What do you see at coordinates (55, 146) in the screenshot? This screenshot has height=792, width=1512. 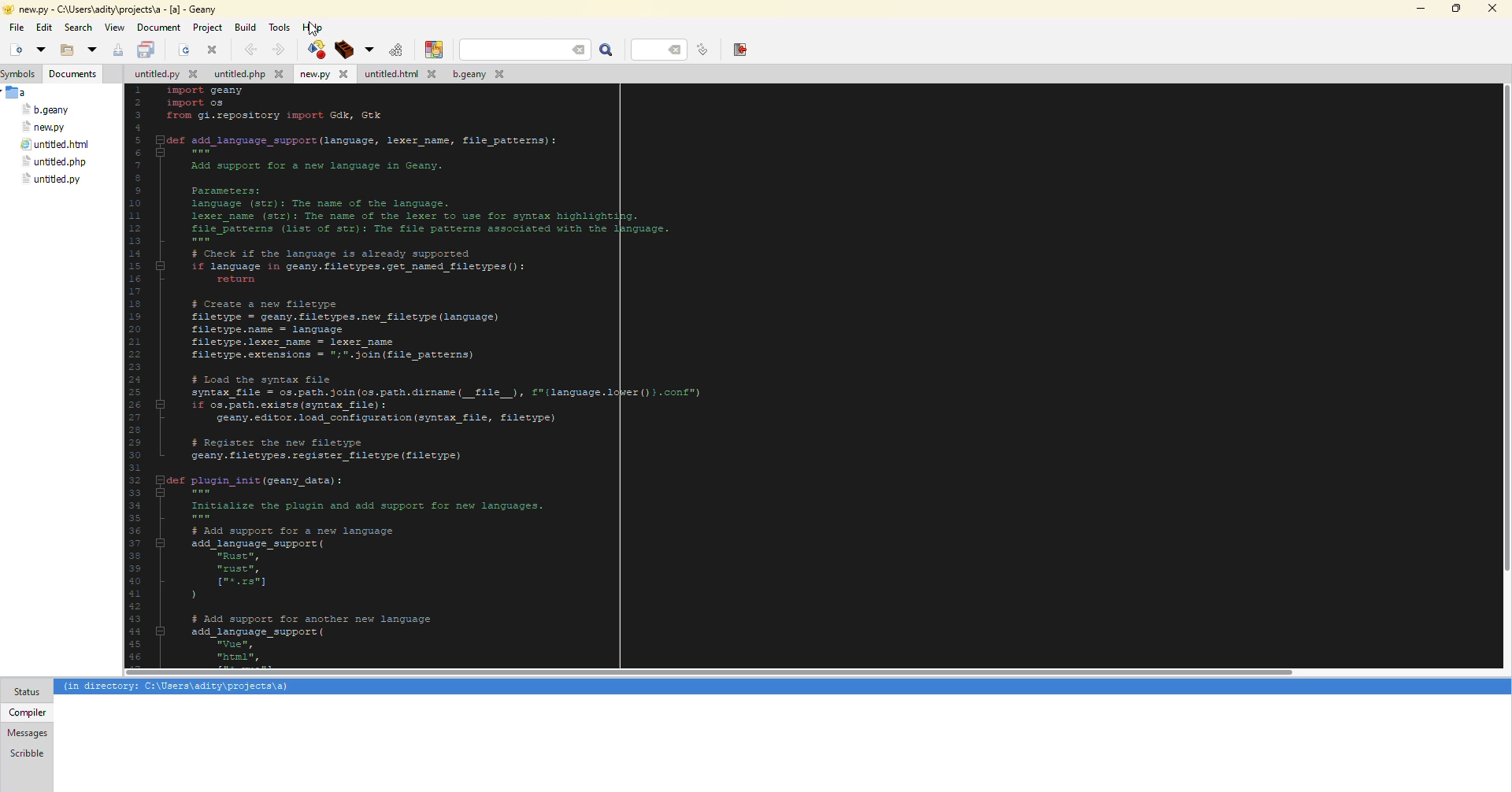 I see `file` at bounding box center [55, 146].